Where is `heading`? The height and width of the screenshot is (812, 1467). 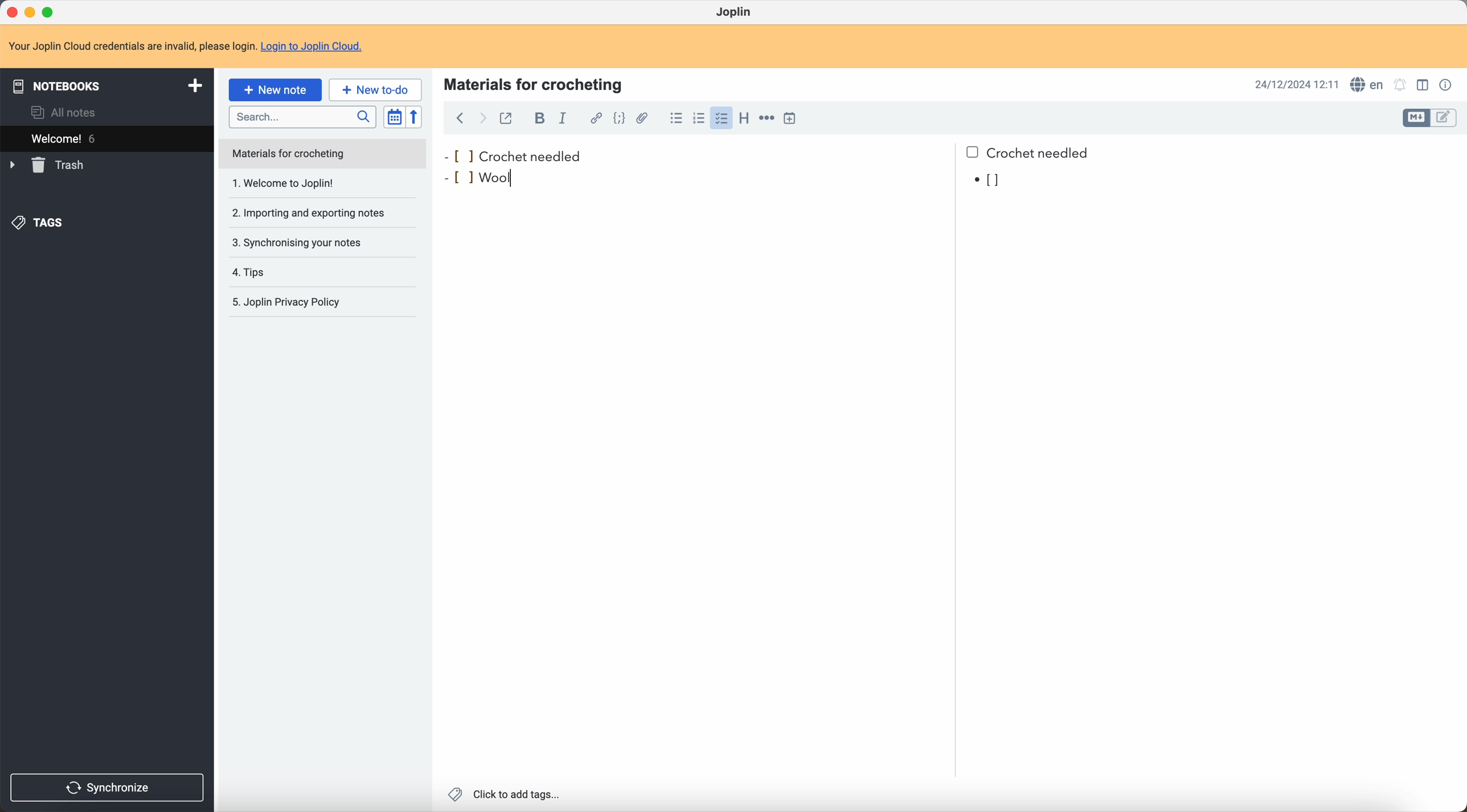
heading is located at coordinates (743, 118).